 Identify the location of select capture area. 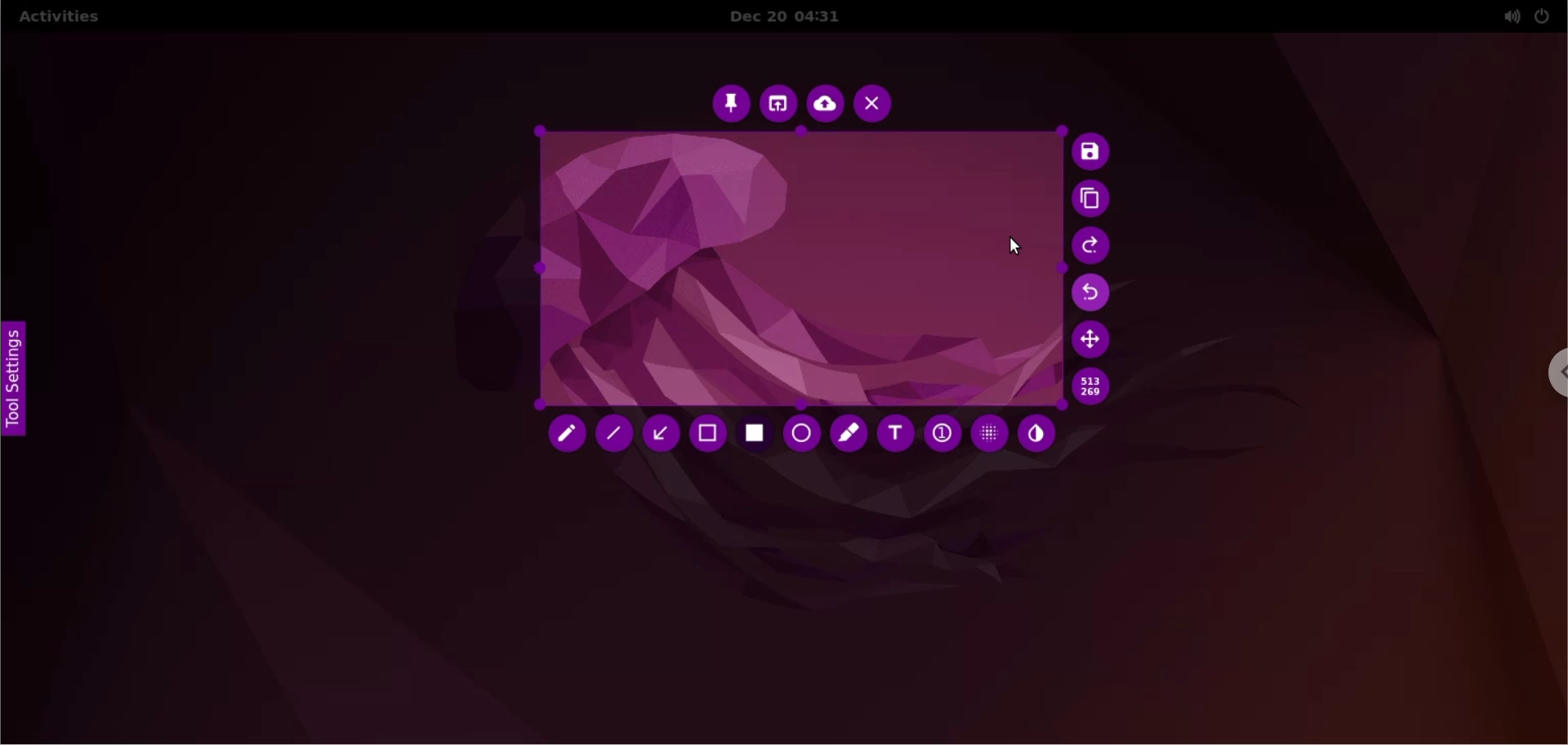
(800, 270).